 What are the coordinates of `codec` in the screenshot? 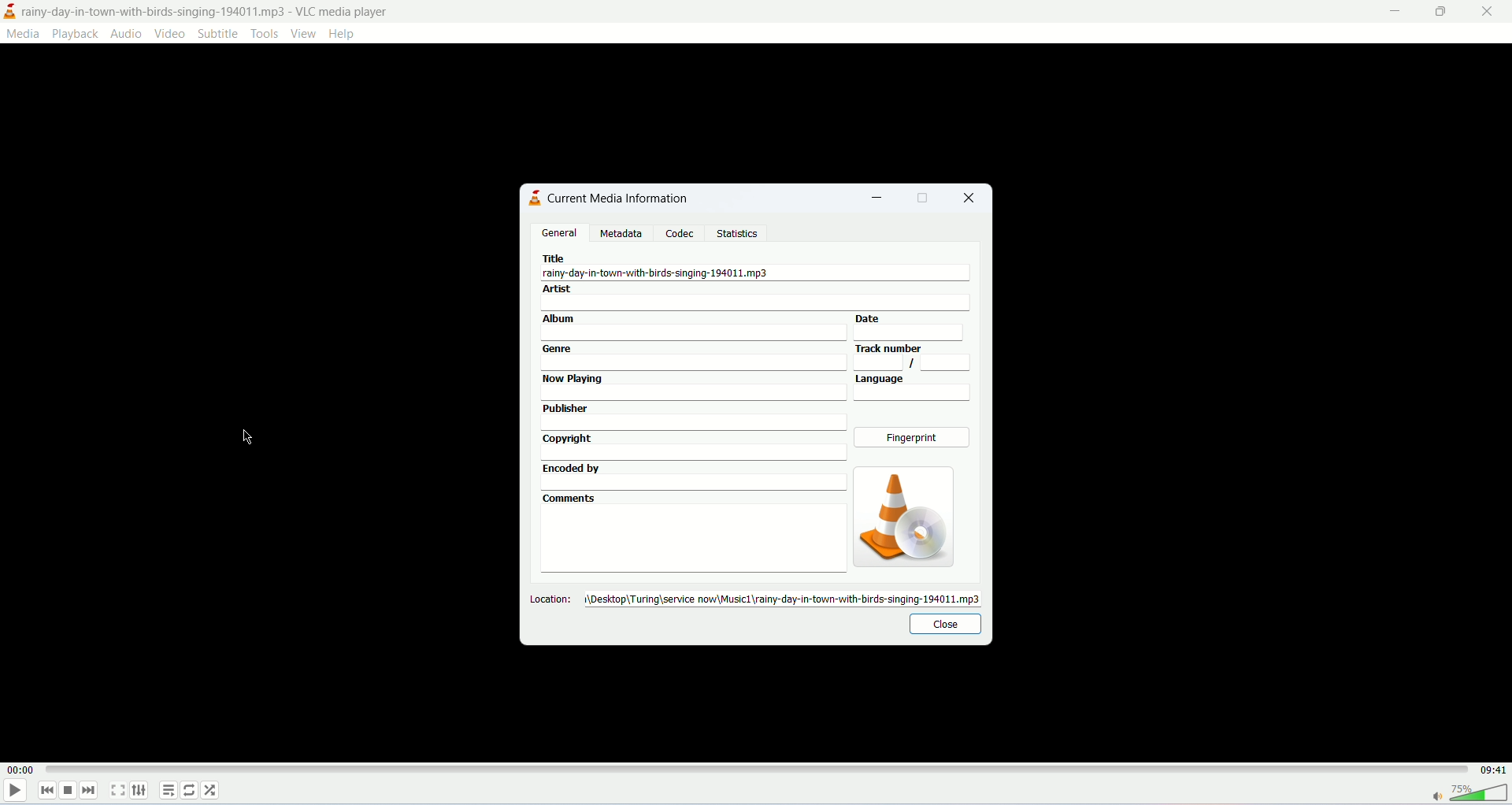 It's located at (684, 235).